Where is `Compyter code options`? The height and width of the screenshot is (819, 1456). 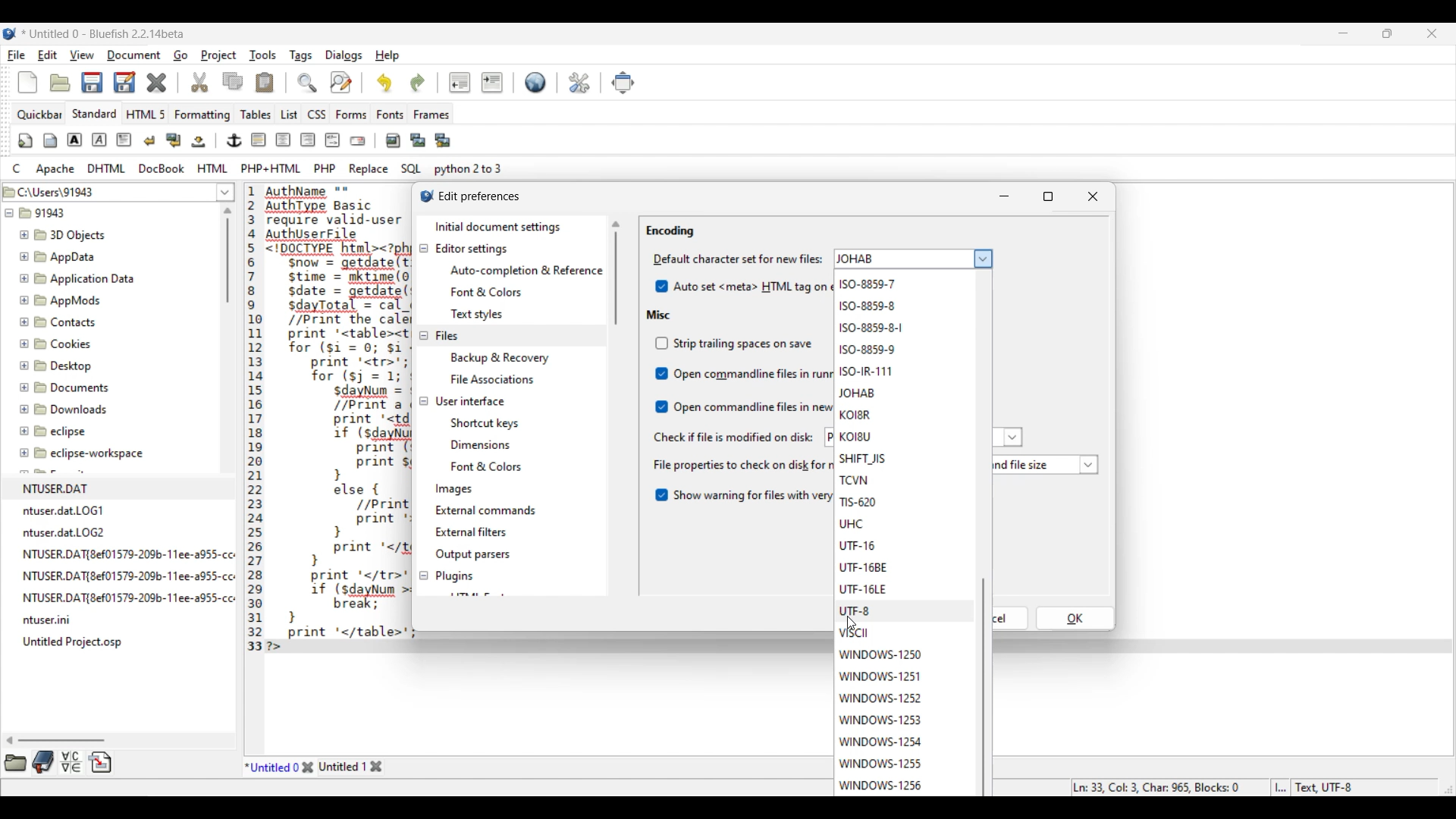
Compyter code options is located at coordinates (257, 168).